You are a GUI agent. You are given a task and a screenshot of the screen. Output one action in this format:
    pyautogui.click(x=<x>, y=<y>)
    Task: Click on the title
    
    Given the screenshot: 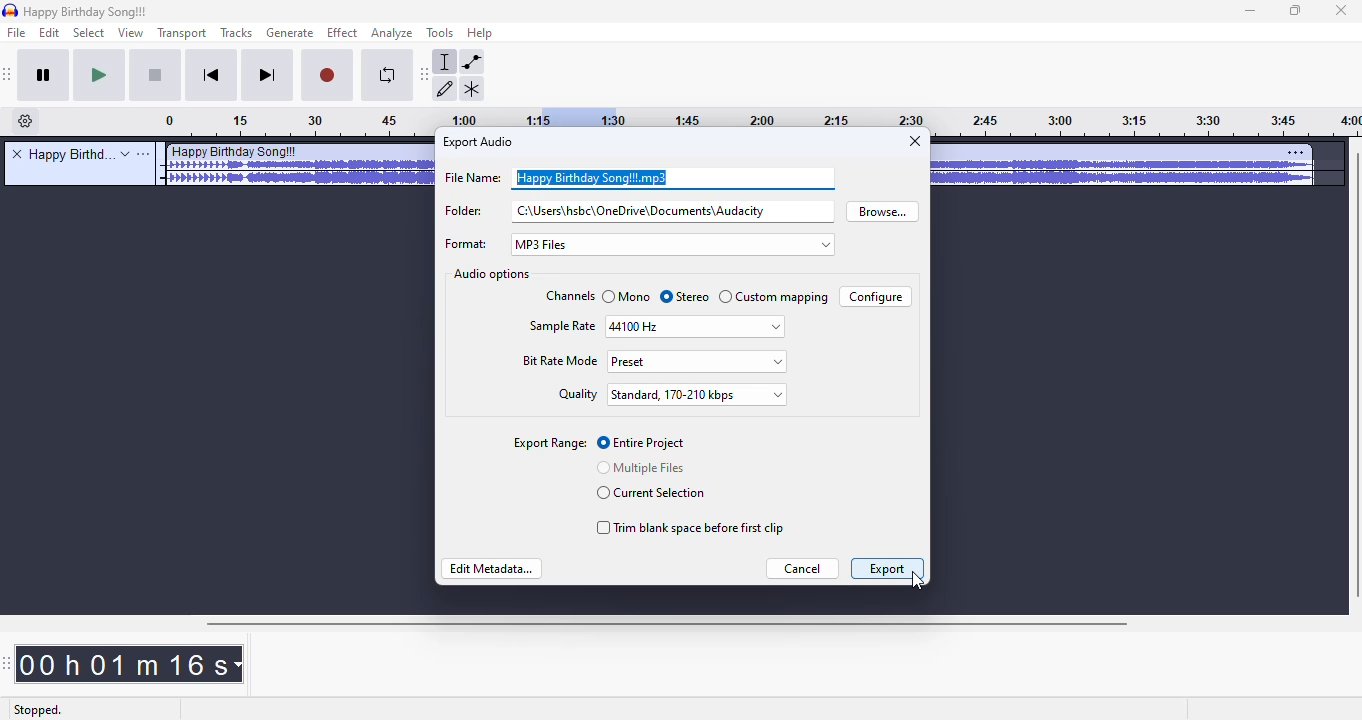 What is the action you would take?
    pyautogui.click(x=87, y=12)
    